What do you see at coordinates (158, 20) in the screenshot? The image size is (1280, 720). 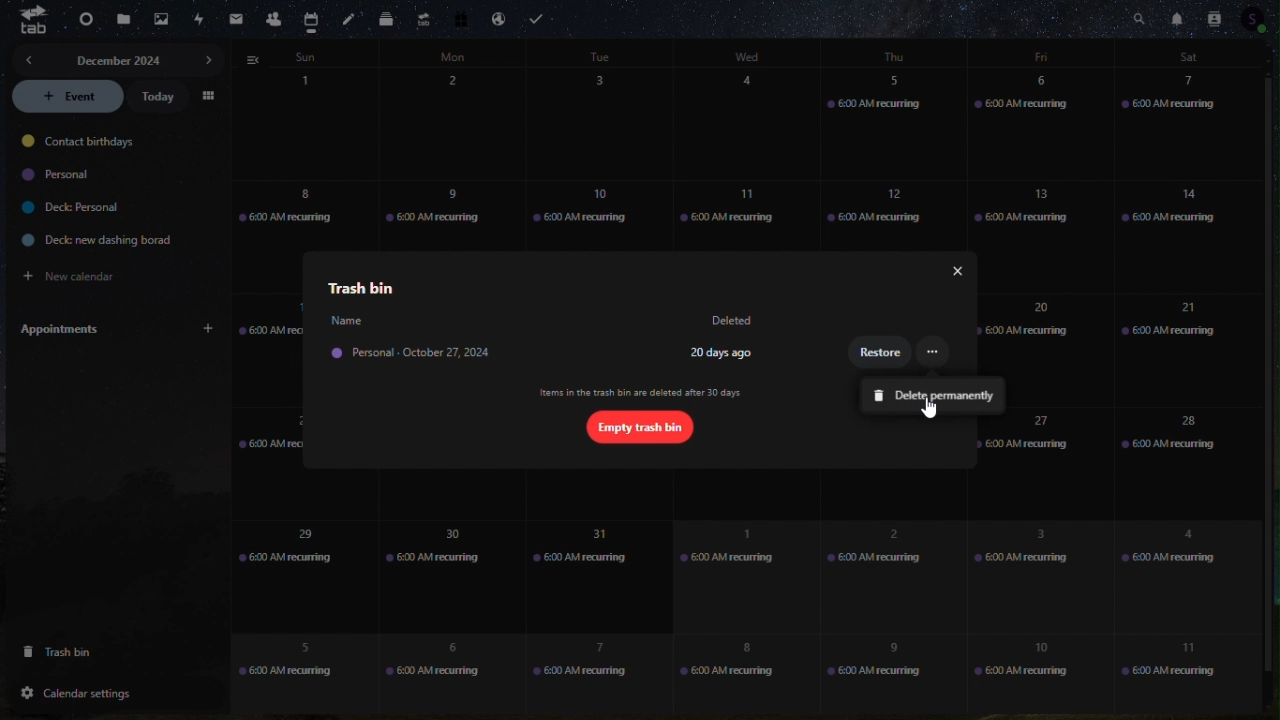 I see `photos` at bounding box center [158, 20].